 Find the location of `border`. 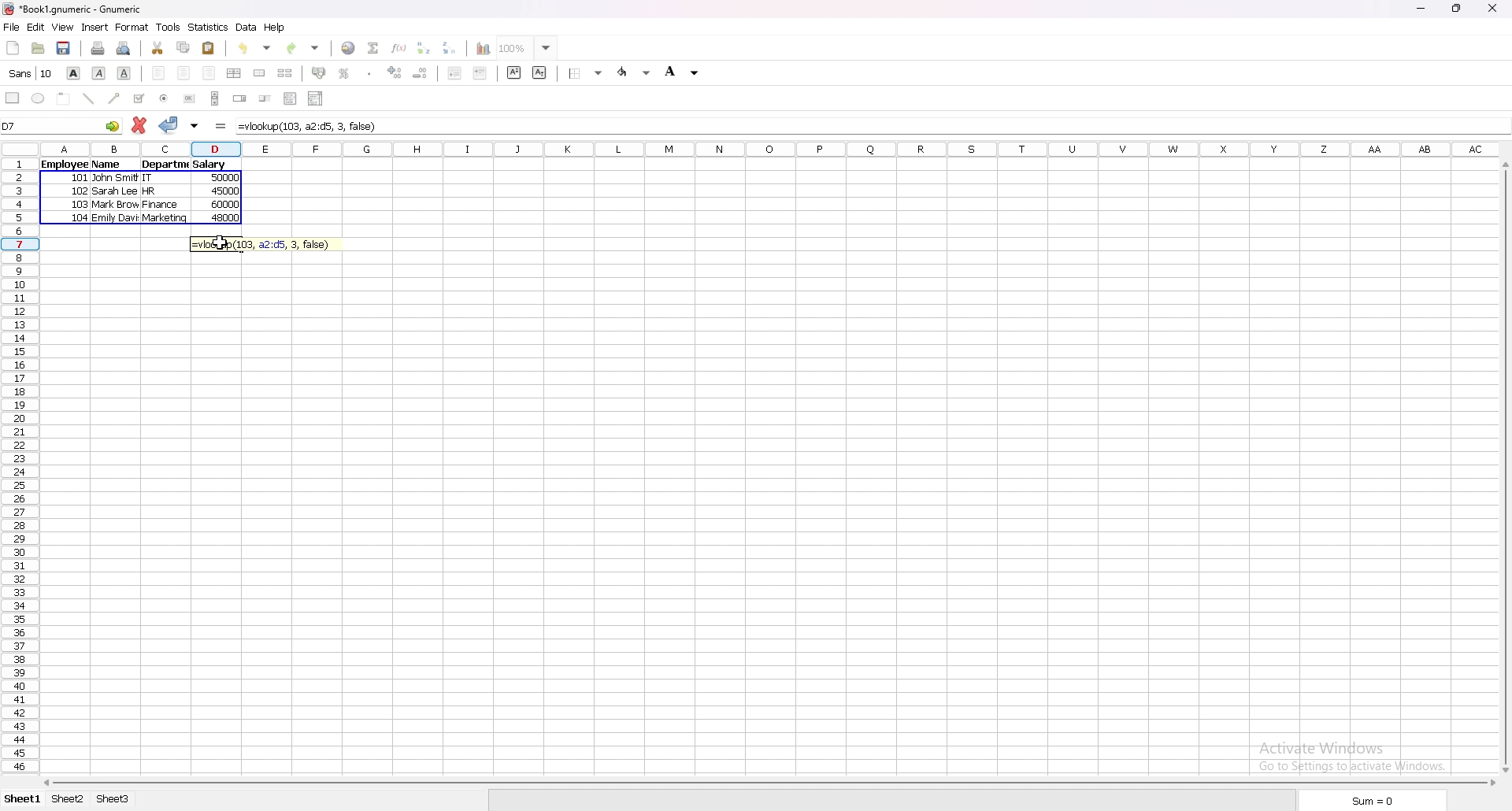

border is located at coordinates (586, 73).